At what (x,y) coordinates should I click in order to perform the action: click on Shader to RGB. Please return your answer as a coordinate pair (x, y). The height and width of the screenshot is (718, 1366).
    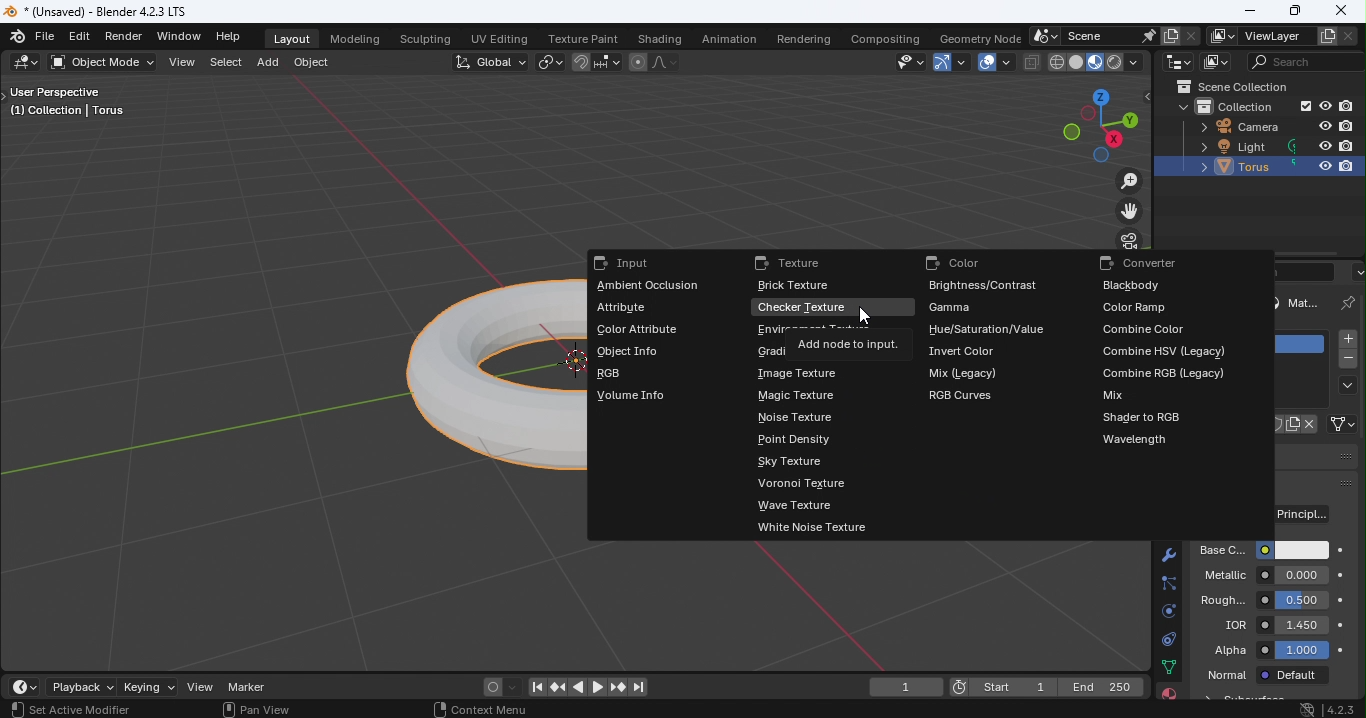
    Looking at the image, I should click on (1147, 418).